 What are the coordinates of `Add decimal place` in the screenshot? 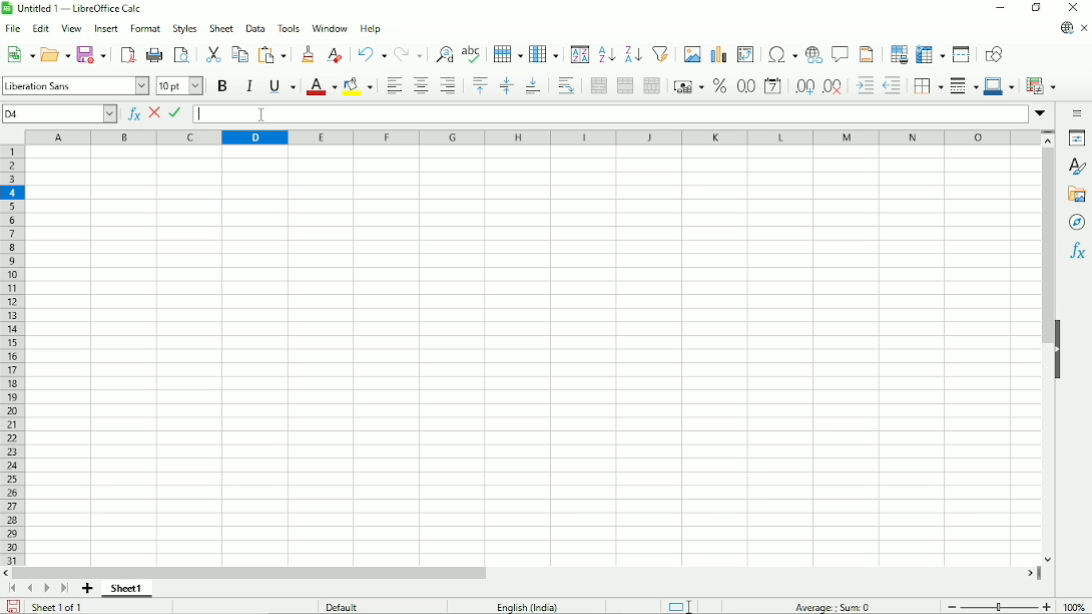 It's located at (804, 87).